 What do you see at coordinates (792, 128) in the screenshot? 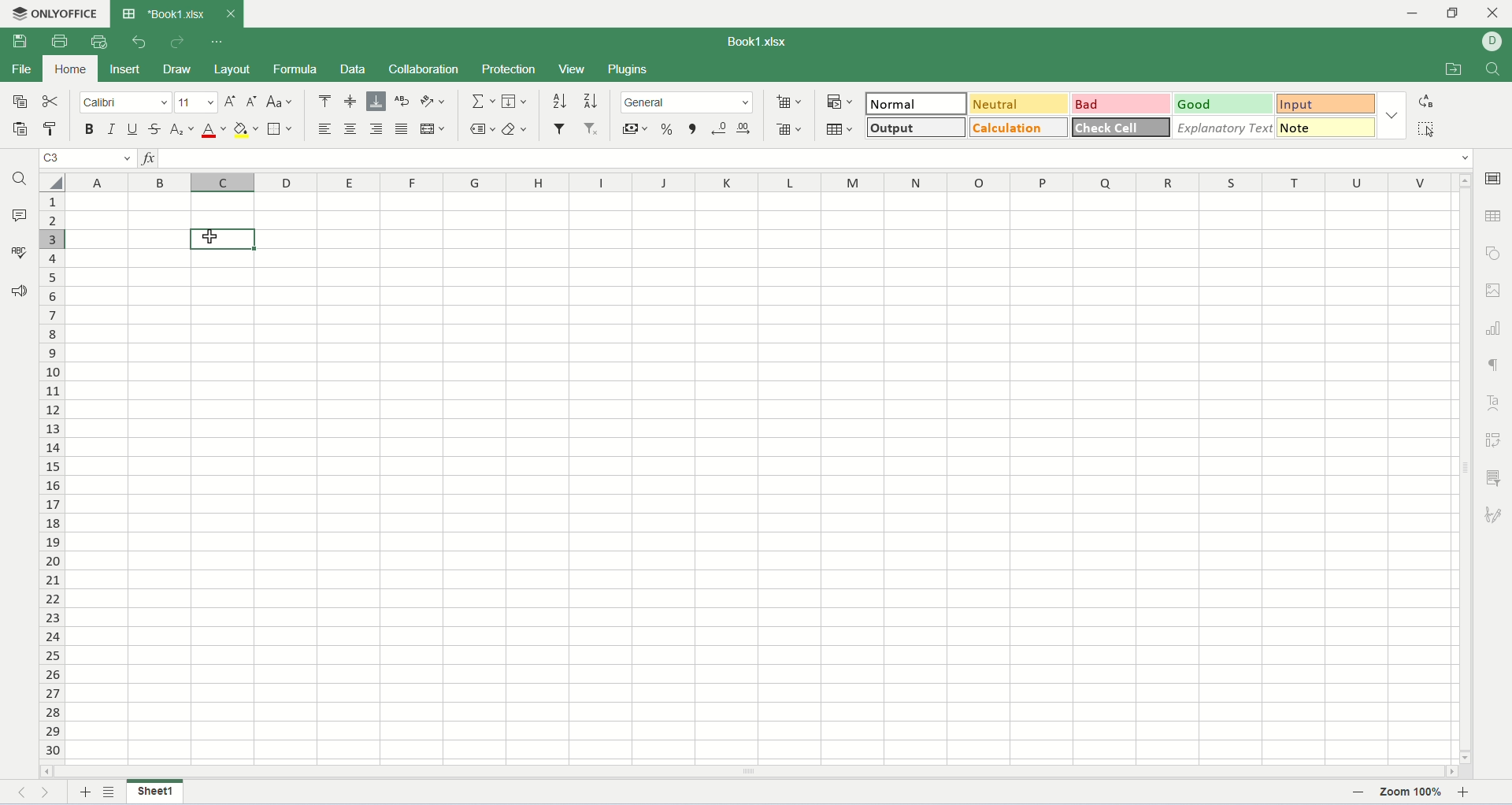
I see `remove cell` at bounding box center [792, 128].